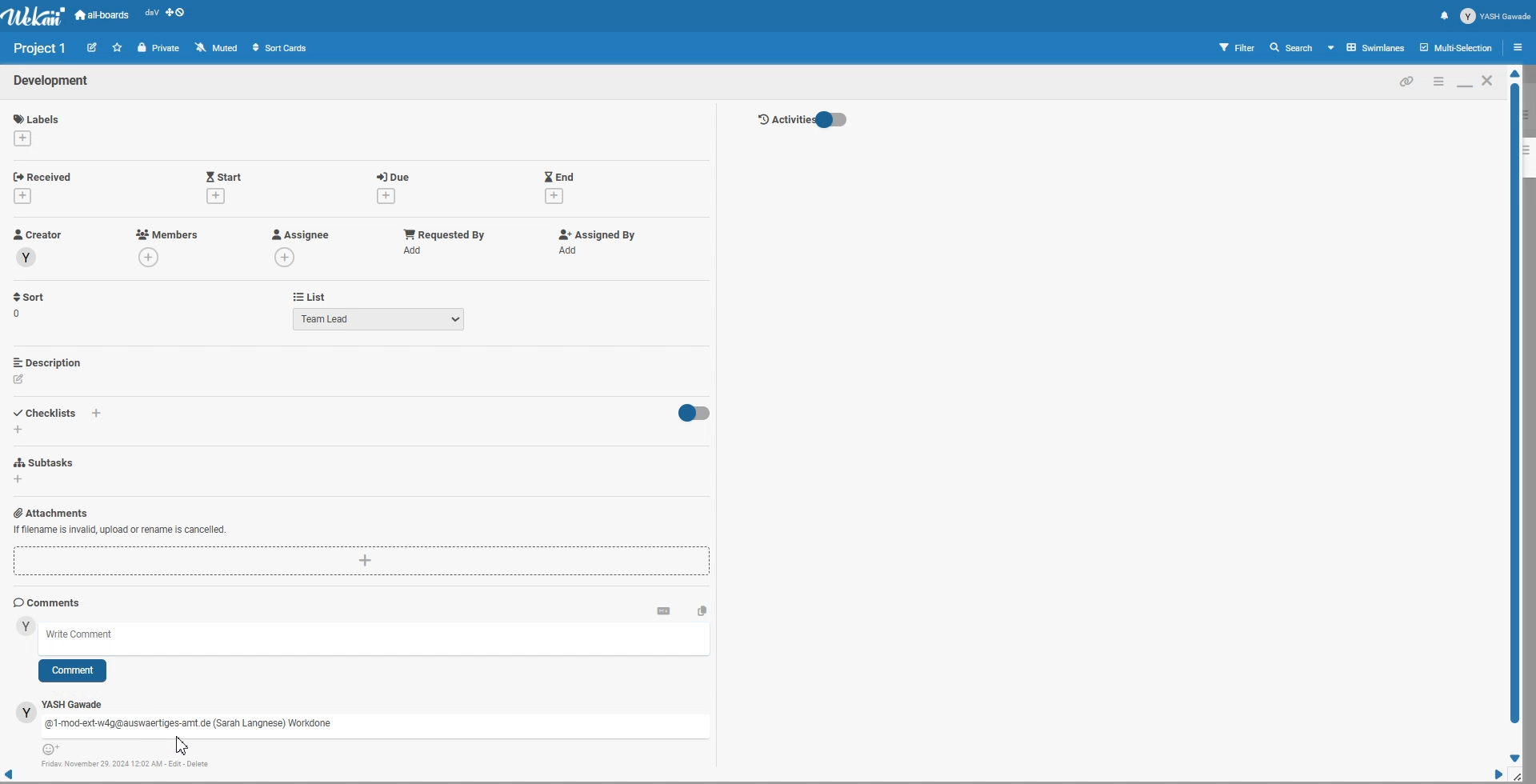  I want to click on Recent open file, so click(151, 15).